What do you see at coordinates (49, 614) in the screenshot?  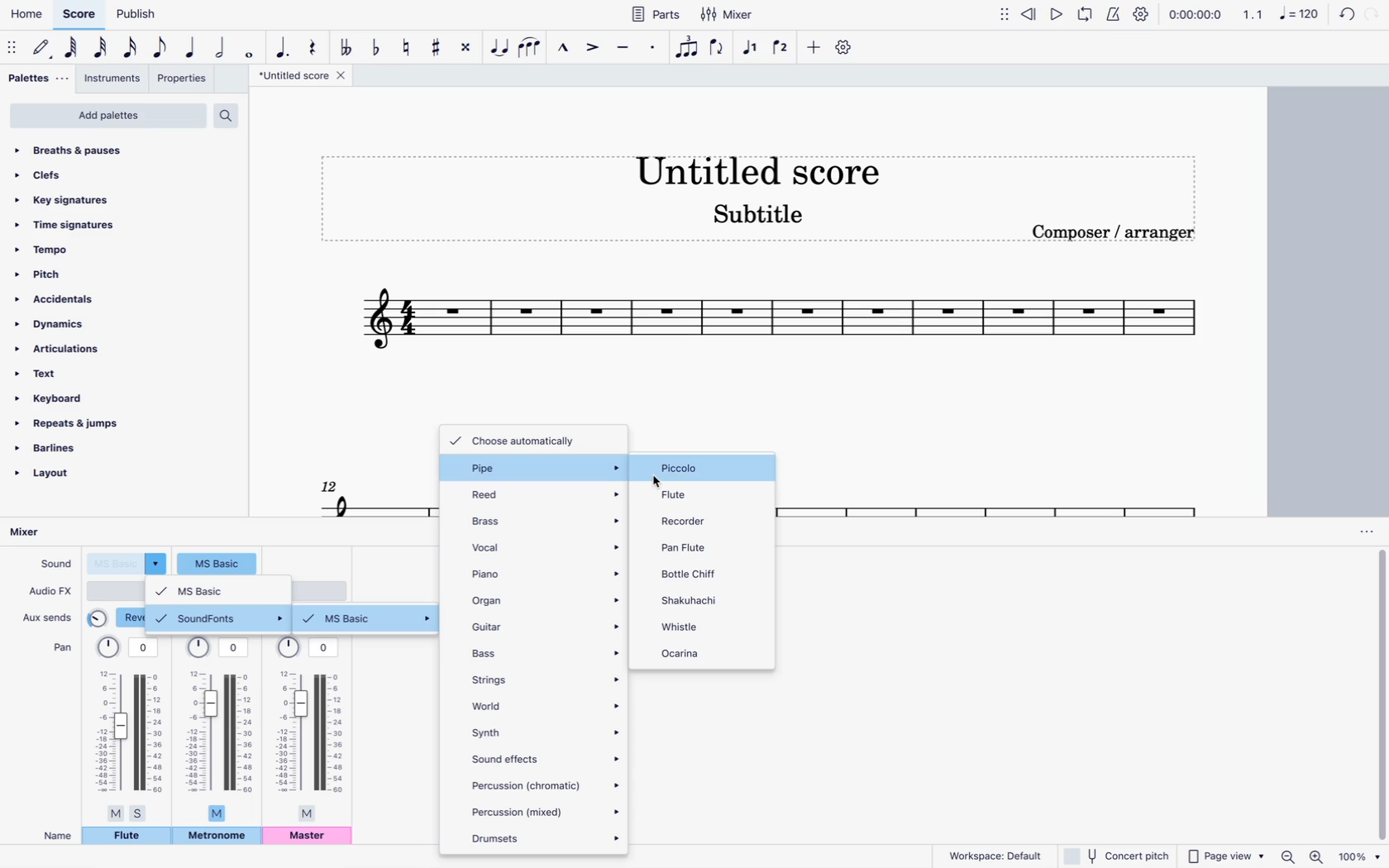 I see `aux sends` at bounding box center [49, 614].